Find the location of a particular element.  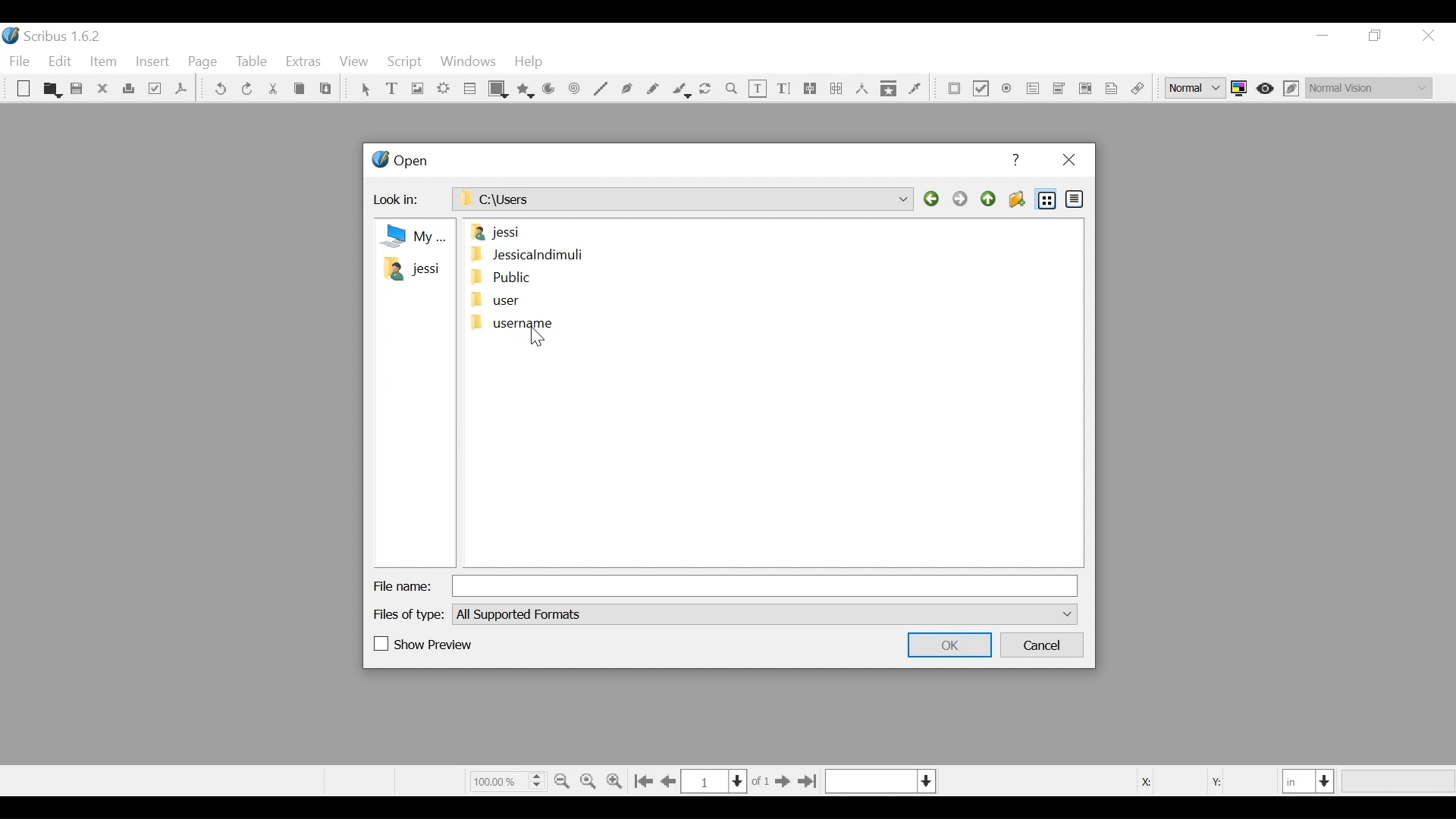

Detail View is located at coordinates (1073, 198).